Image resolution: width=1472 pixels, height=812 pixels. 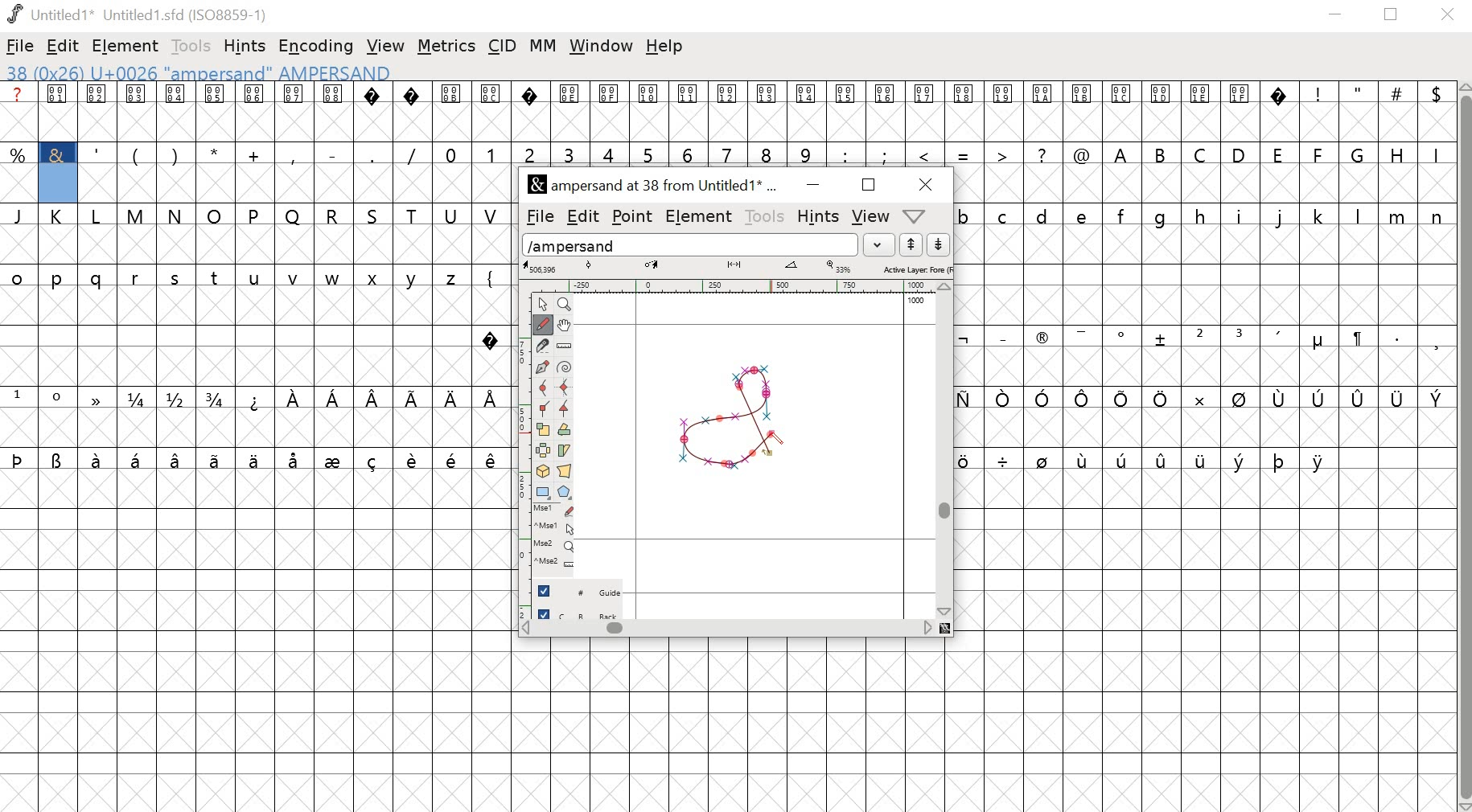 What do you see at coordinates (19, 112) in the screenshot?
I see `a` at bounding box center [19, 112].